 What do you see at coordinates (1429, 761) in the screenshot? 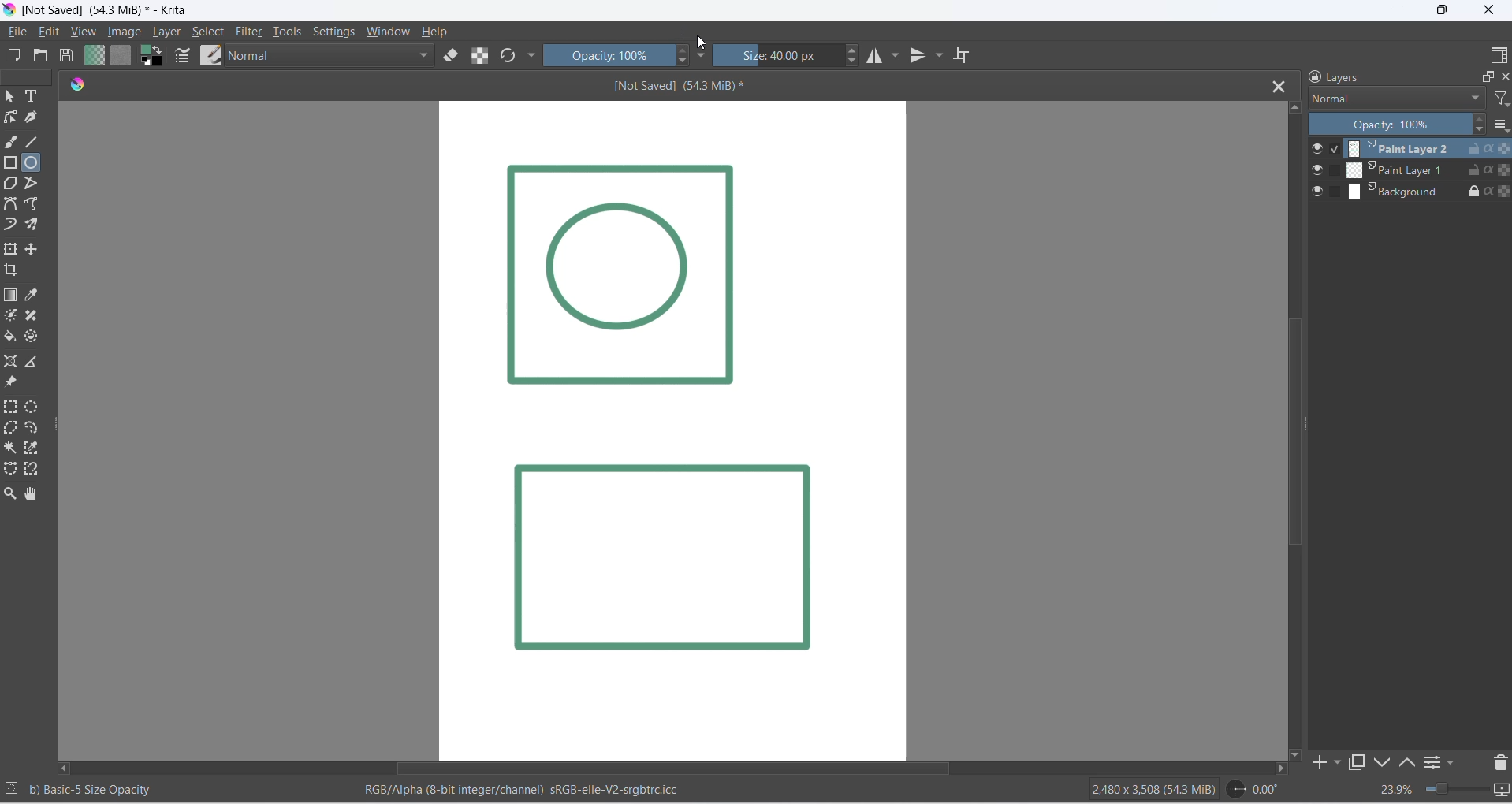
I see `options` at bounding box center [1429, 761].